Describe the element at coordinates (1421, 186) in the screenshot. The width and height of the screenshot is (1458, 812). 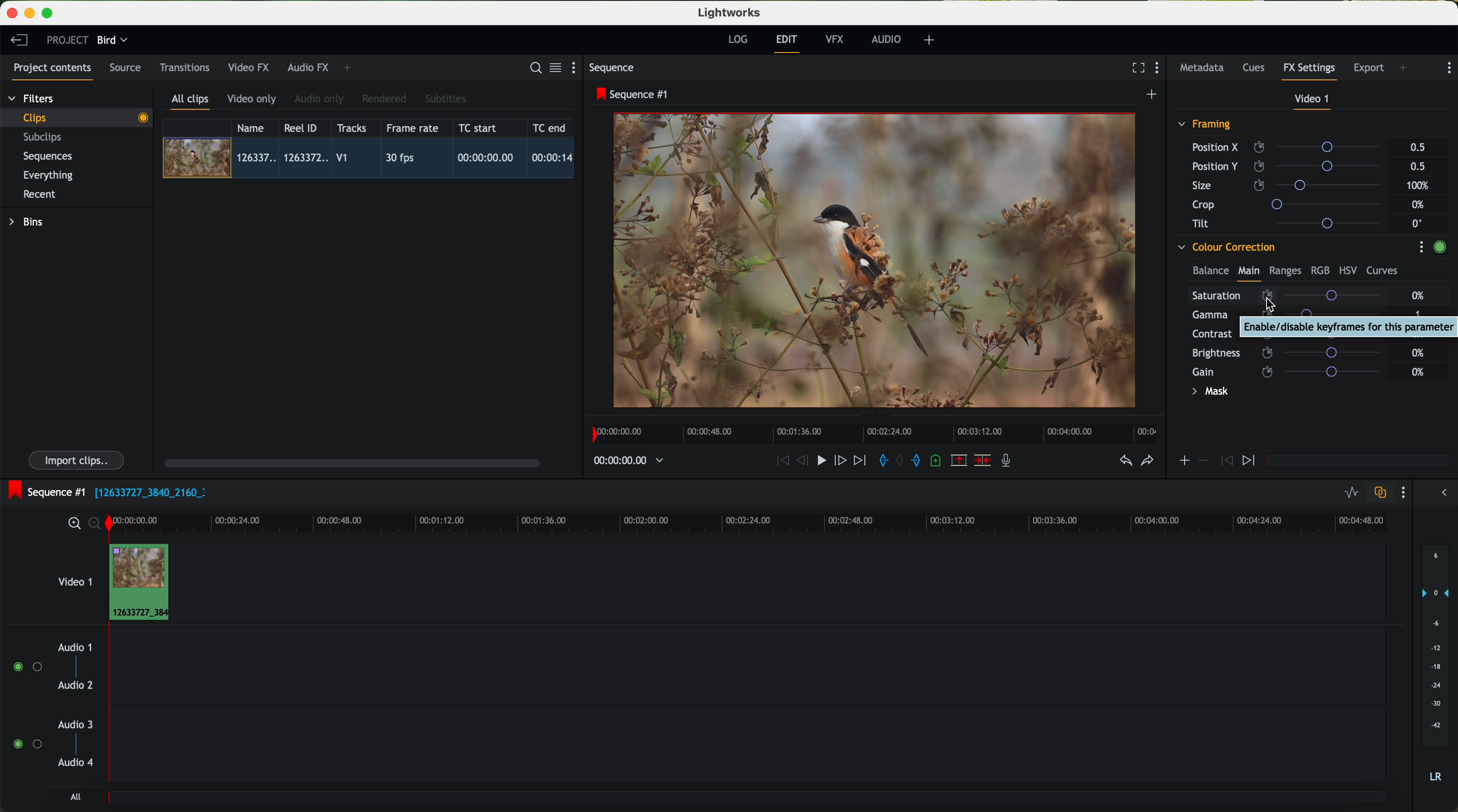
I see `100%` at that location.